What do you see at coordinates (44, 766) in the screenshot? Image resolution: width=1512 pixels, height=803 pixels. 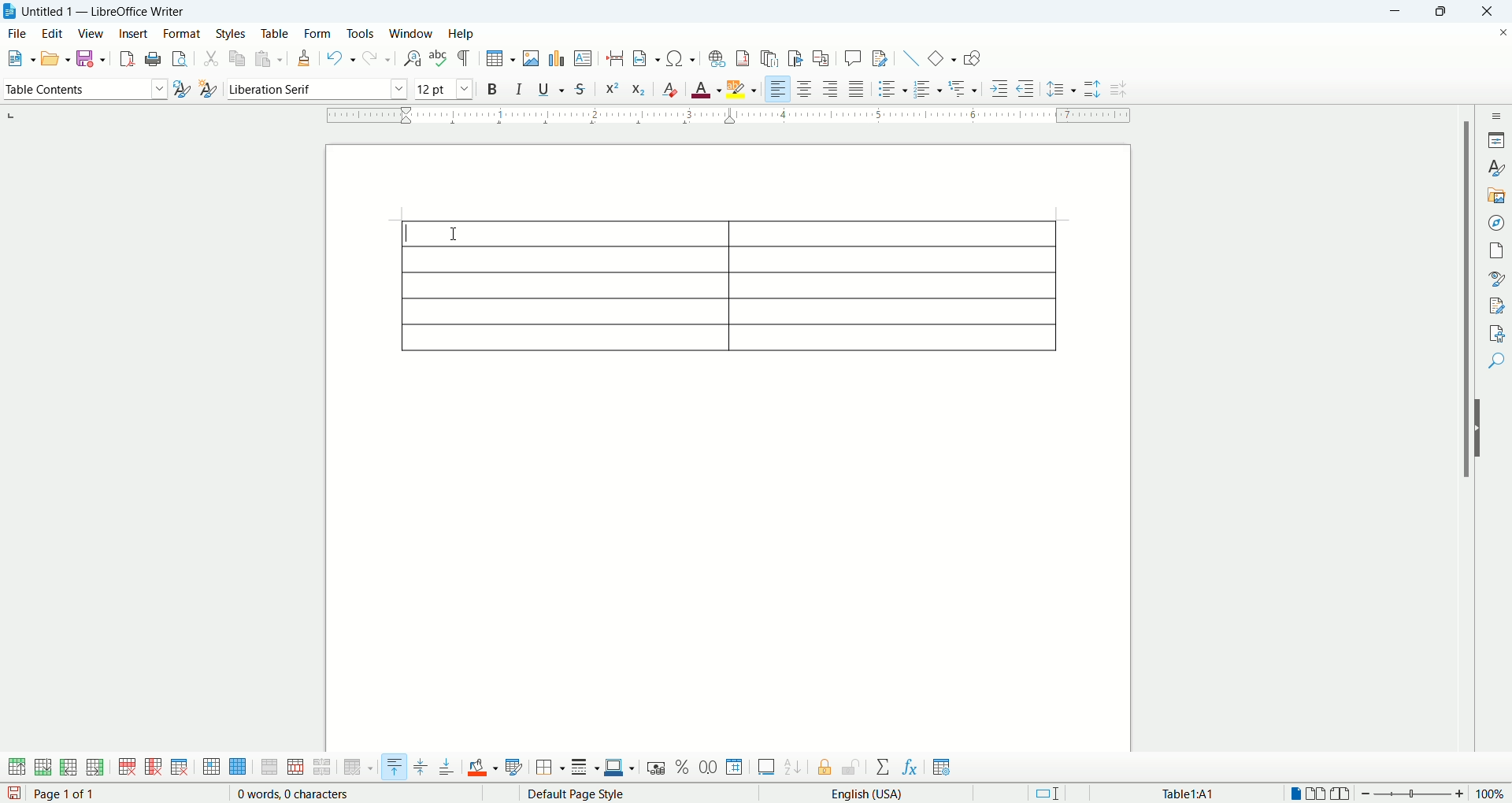 I see `insert row below` at bounding box center [44, 766].